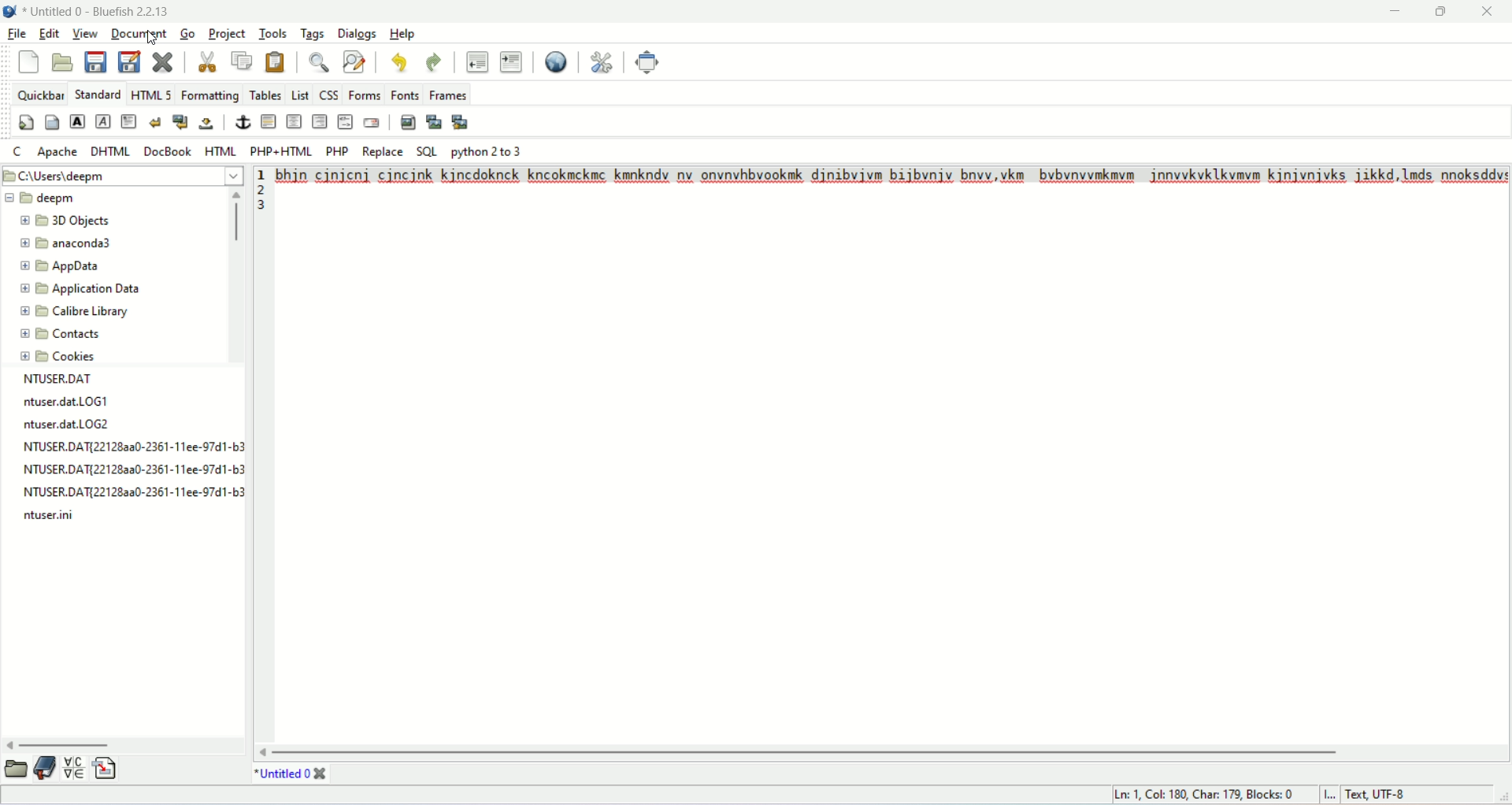 The width and height of the screenshot is (1512, 805). What do you see at coordinates (29, 61) in the screenshot?
I see `new` at bounding box center [29, 61].